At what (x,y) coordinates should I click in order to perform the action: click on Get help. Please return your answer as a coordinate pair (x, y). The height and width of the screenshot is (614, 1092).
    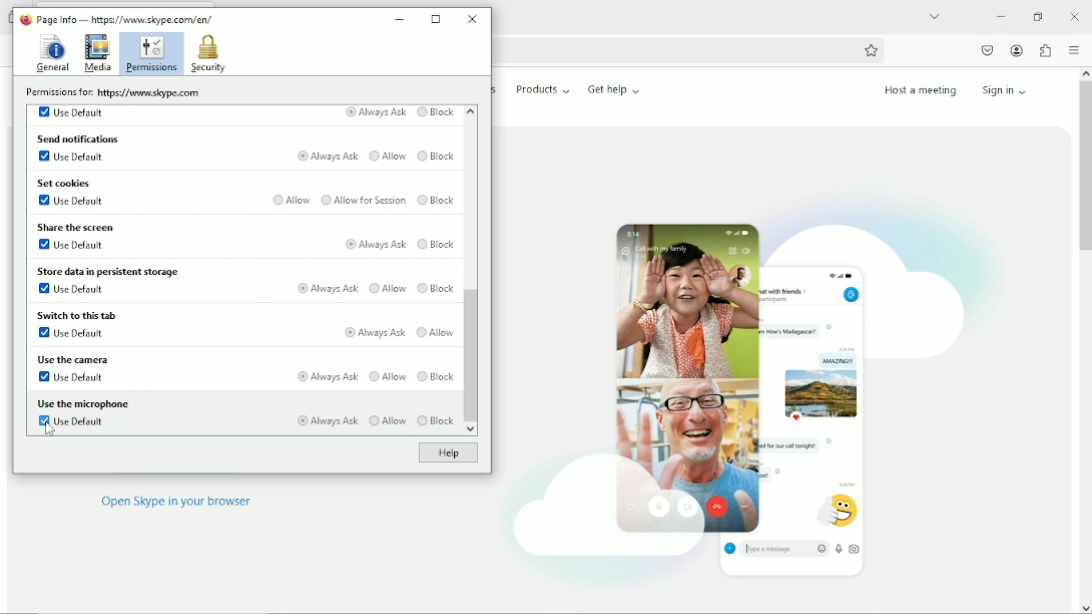
    Looking at the image, I should click on (614, 89).